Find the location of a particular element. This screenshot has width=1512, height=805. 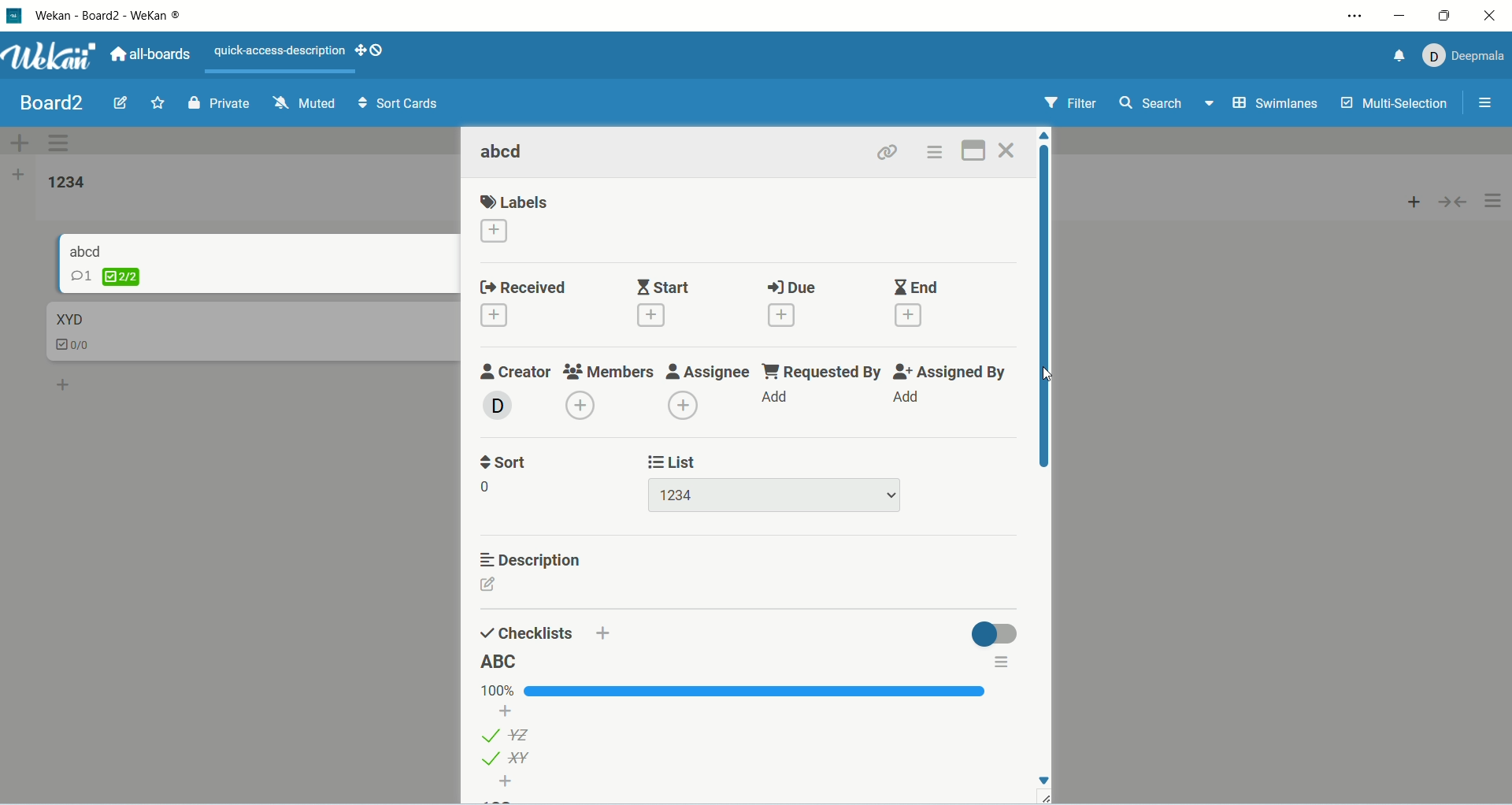

add is located at coordinates (683, 405).